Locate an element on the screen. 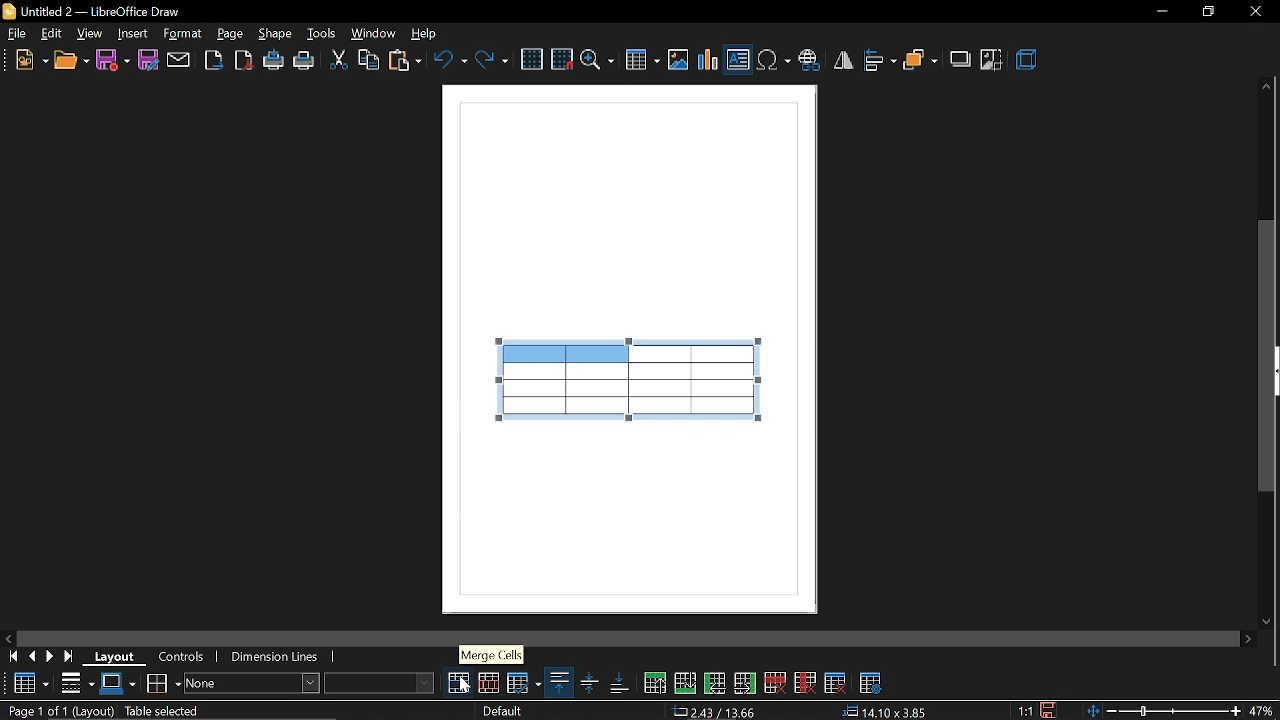 The image size is (1280, 720). tools is located at coordinates (322, 33).